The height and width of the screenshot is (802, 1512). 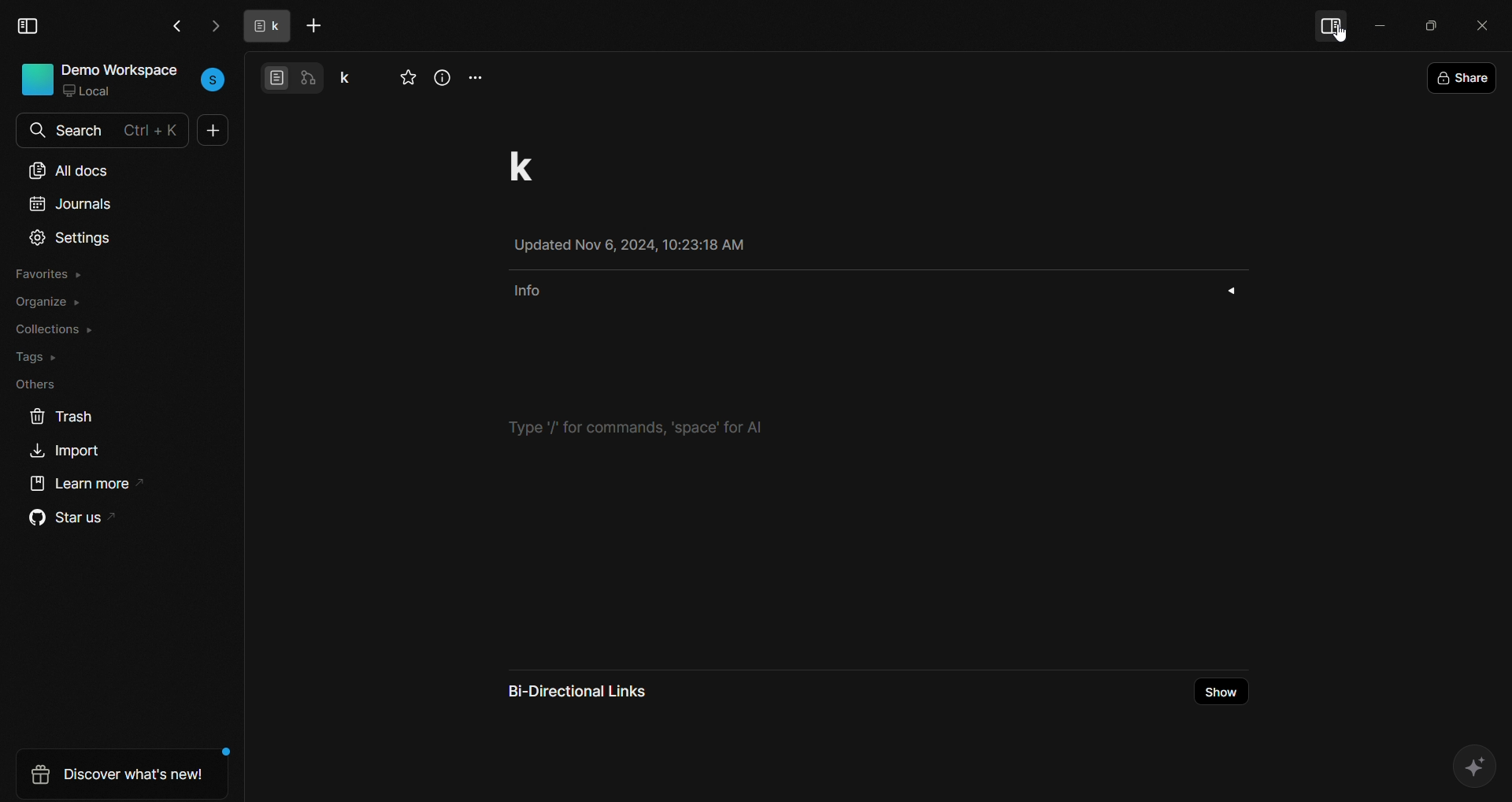 I want to click on share, so click(x=1463, y=77).